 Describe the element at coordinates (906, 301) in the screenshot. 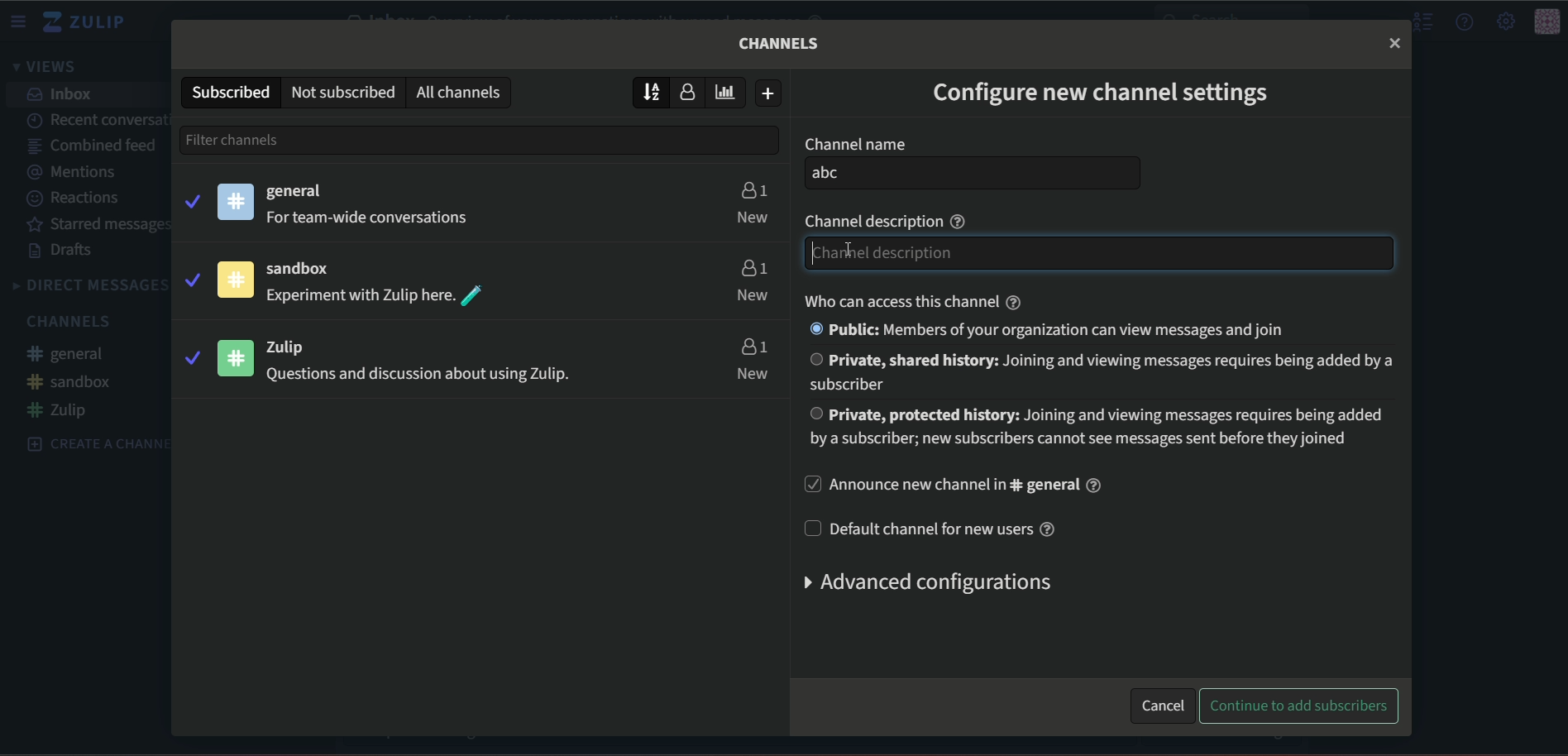

I see `who can acess this channel` at that location.